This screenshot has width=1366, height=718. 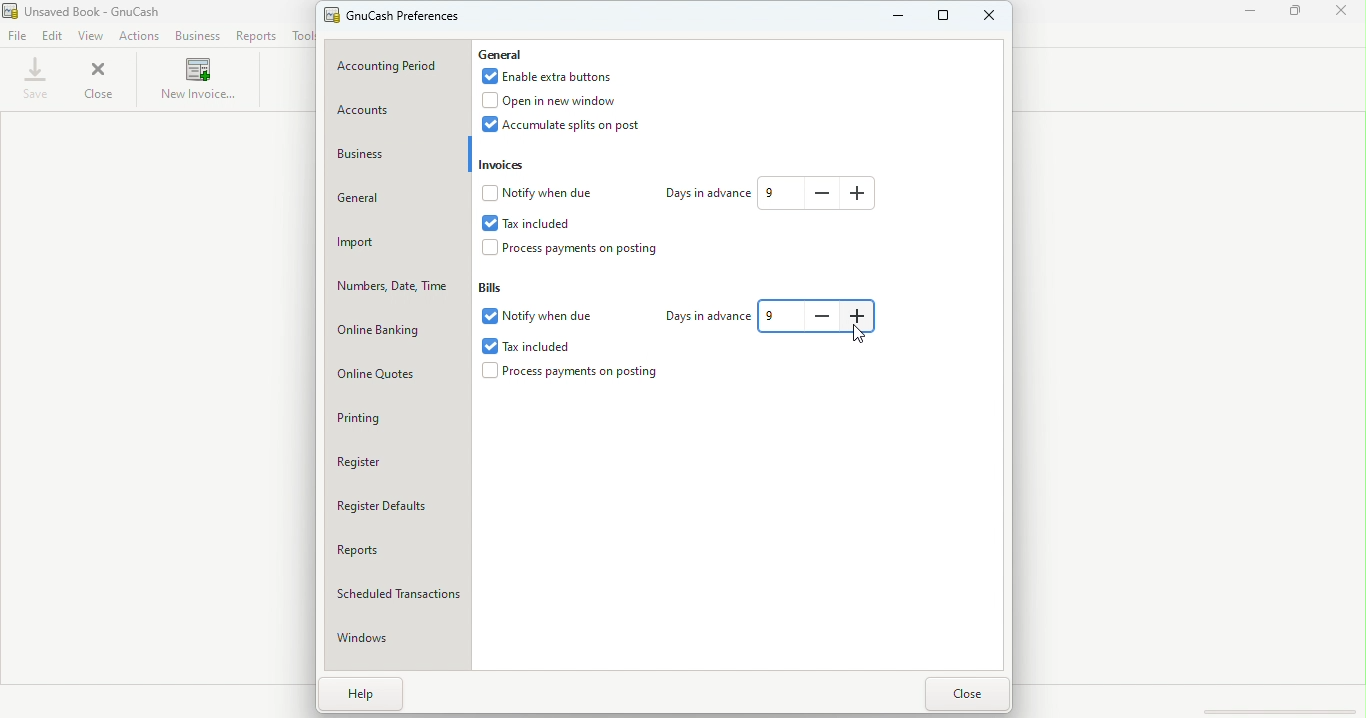 What do you see at coordinates (574, 373) in the screenshot?
I see `Process payments on postings` at bounding box center [574, 373].